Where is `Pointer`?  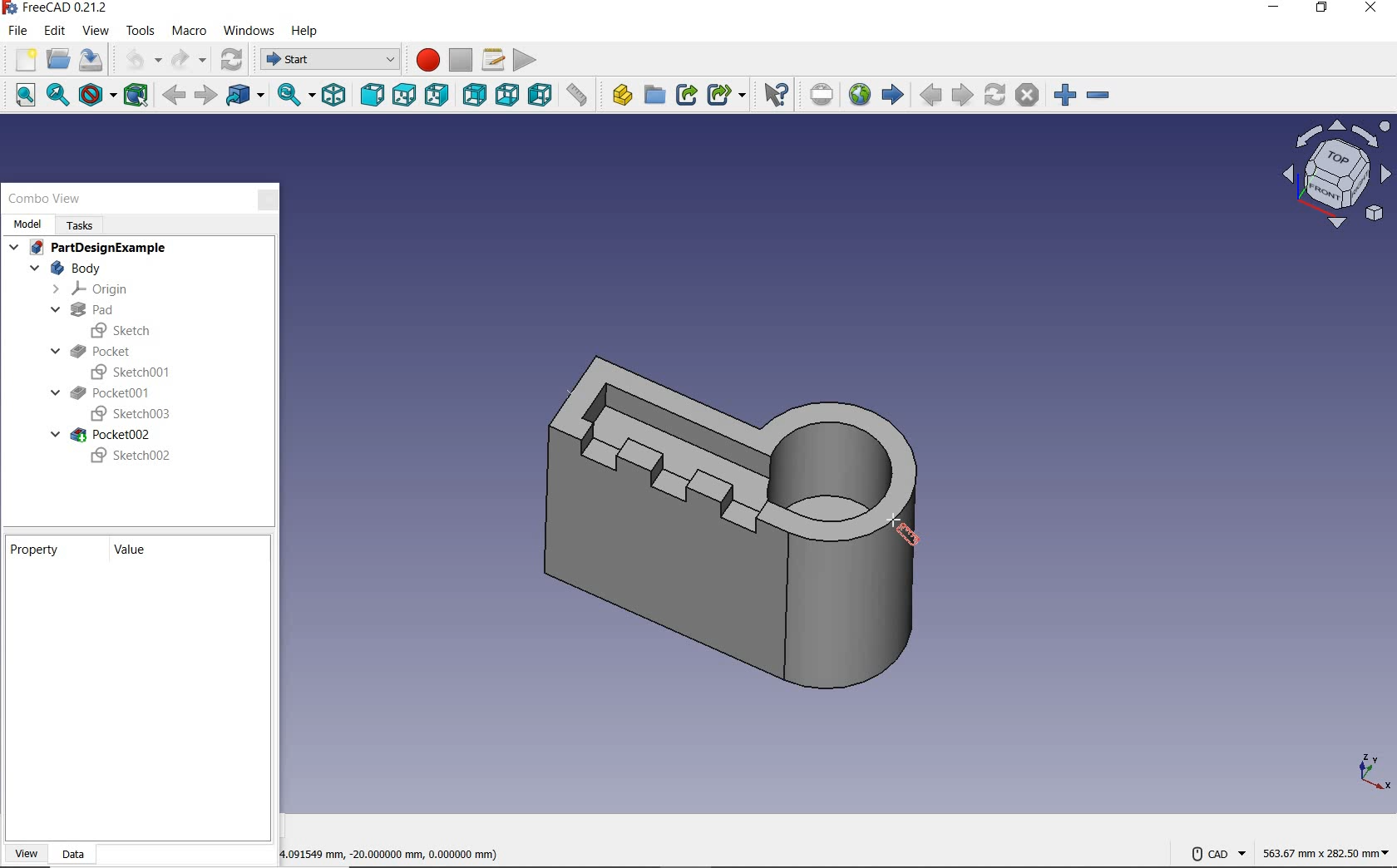 Pointer is located at coordinates (896, 518).